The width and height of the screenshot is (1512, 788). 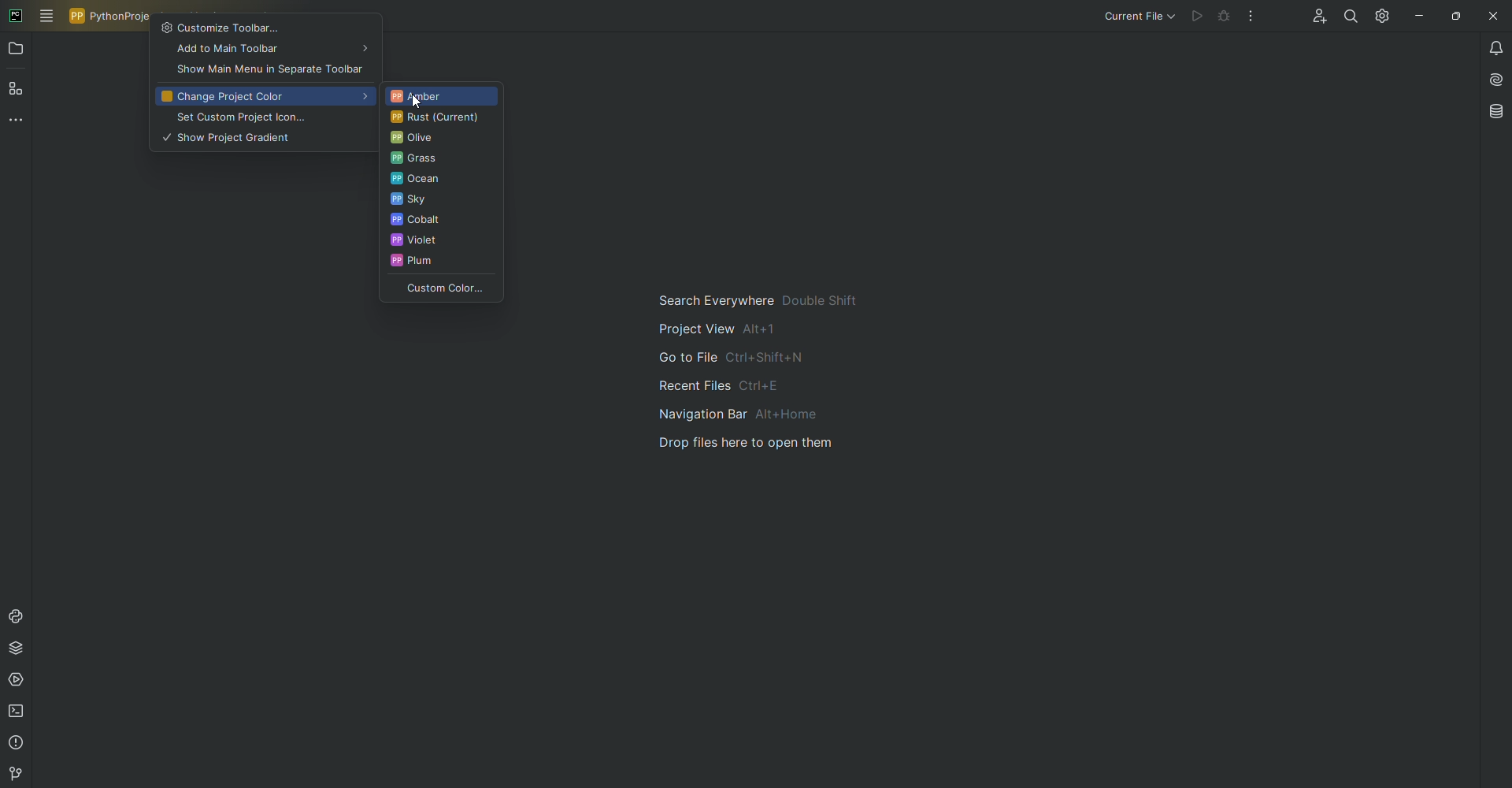 What do you see at coordinates (19, 615) in the screenshot?
I see `Console` at bounding box center [19, 615].